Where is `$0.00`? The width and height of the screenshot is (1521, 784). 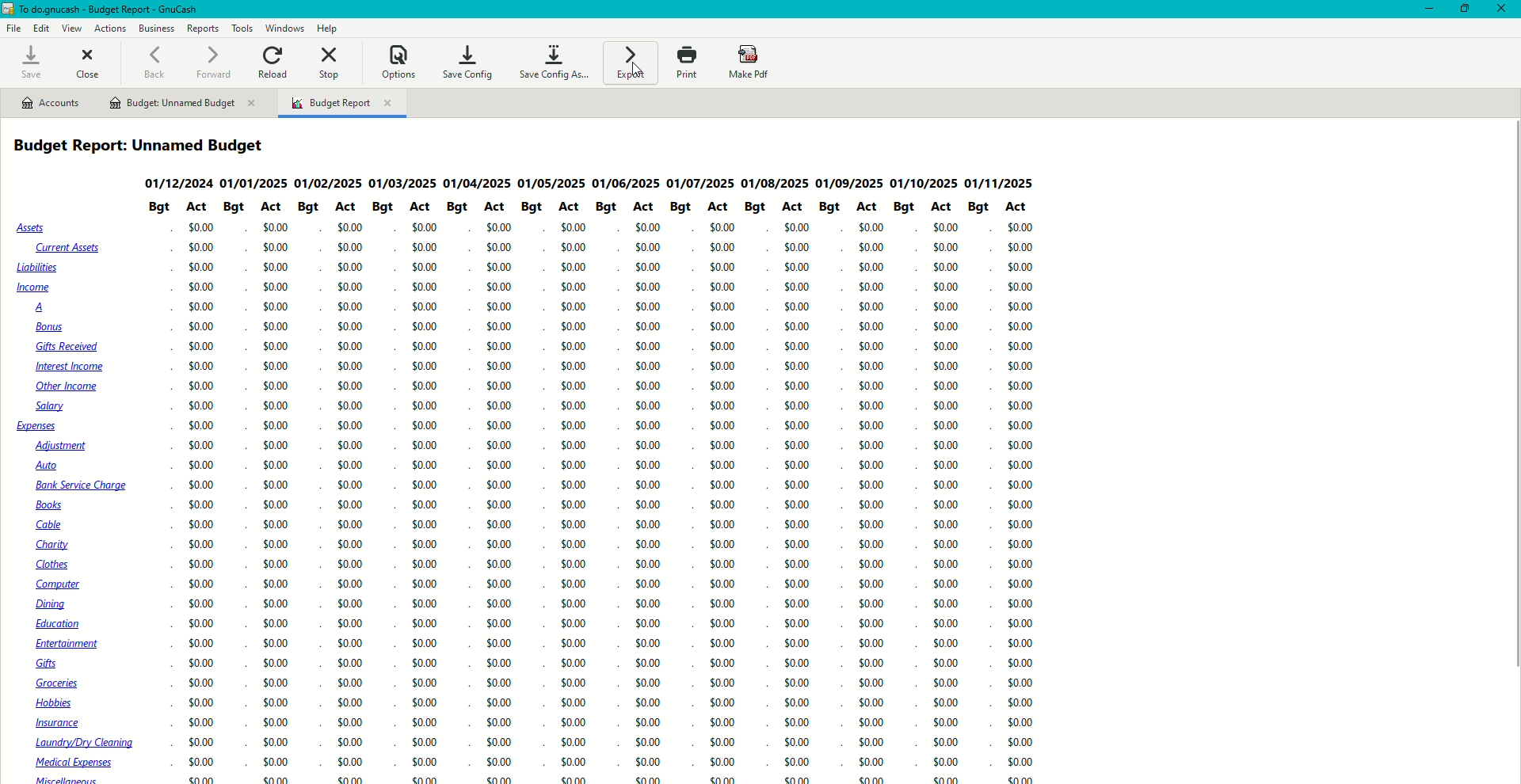
$0.00 is located at coordinates (425, 505).